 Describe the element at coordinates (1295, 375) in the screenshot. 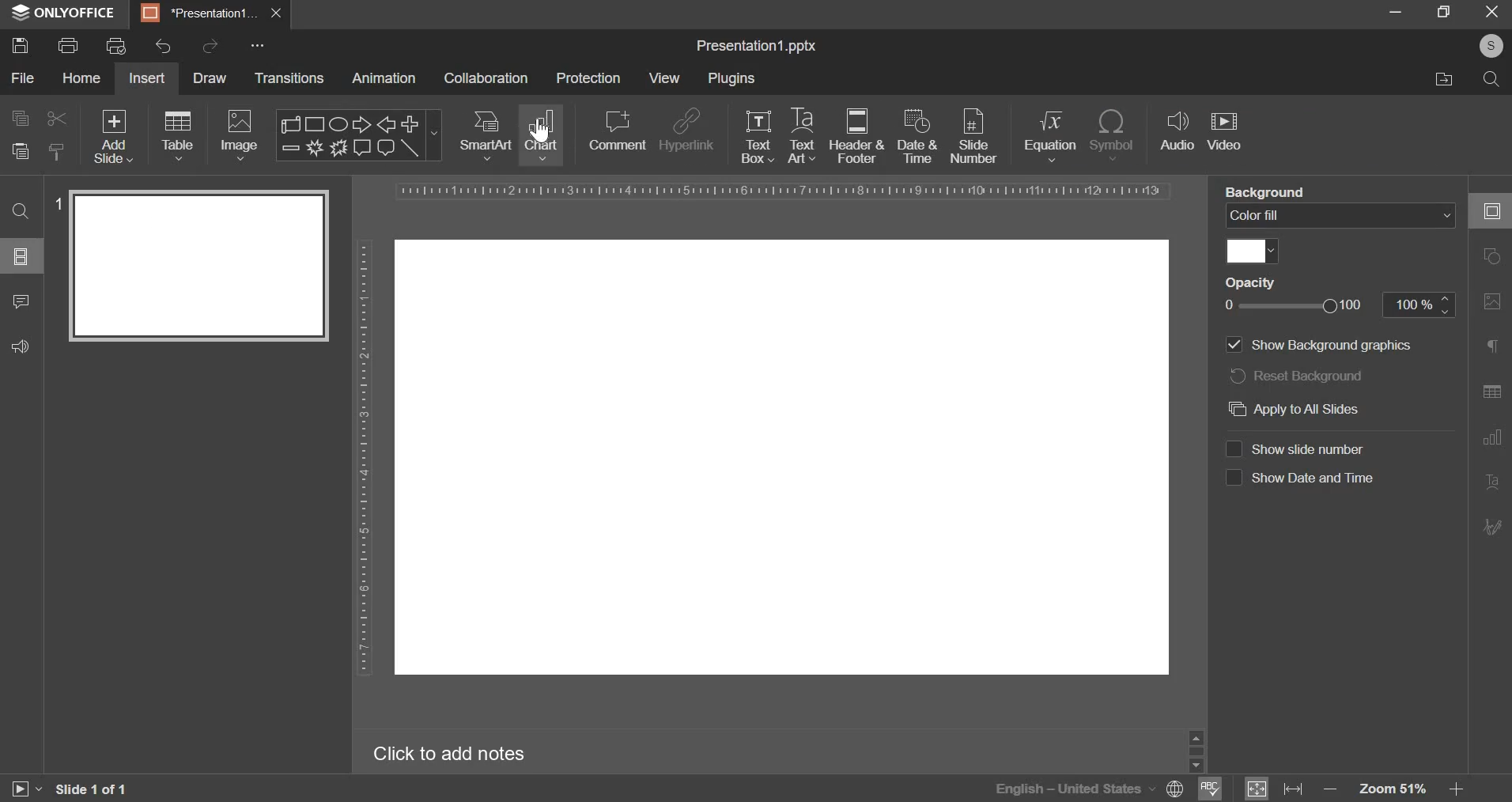

I see `reset background` at that location.